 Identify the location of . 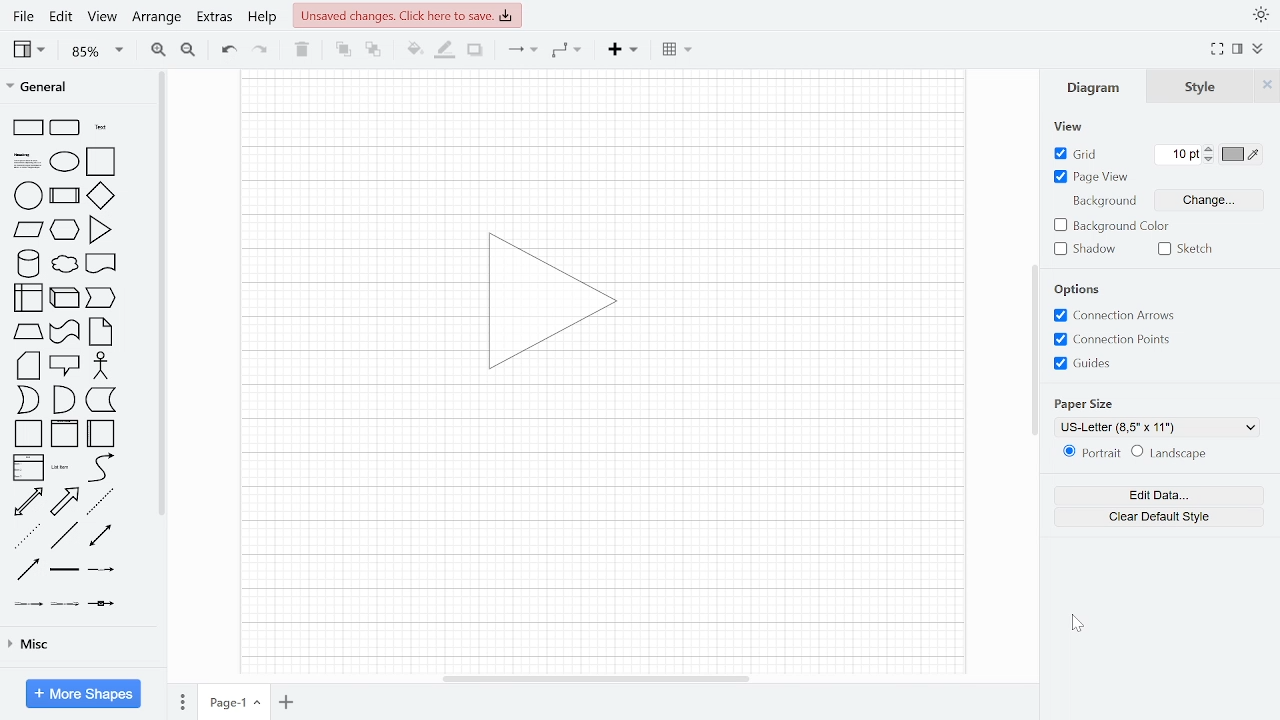
(1113, 340).